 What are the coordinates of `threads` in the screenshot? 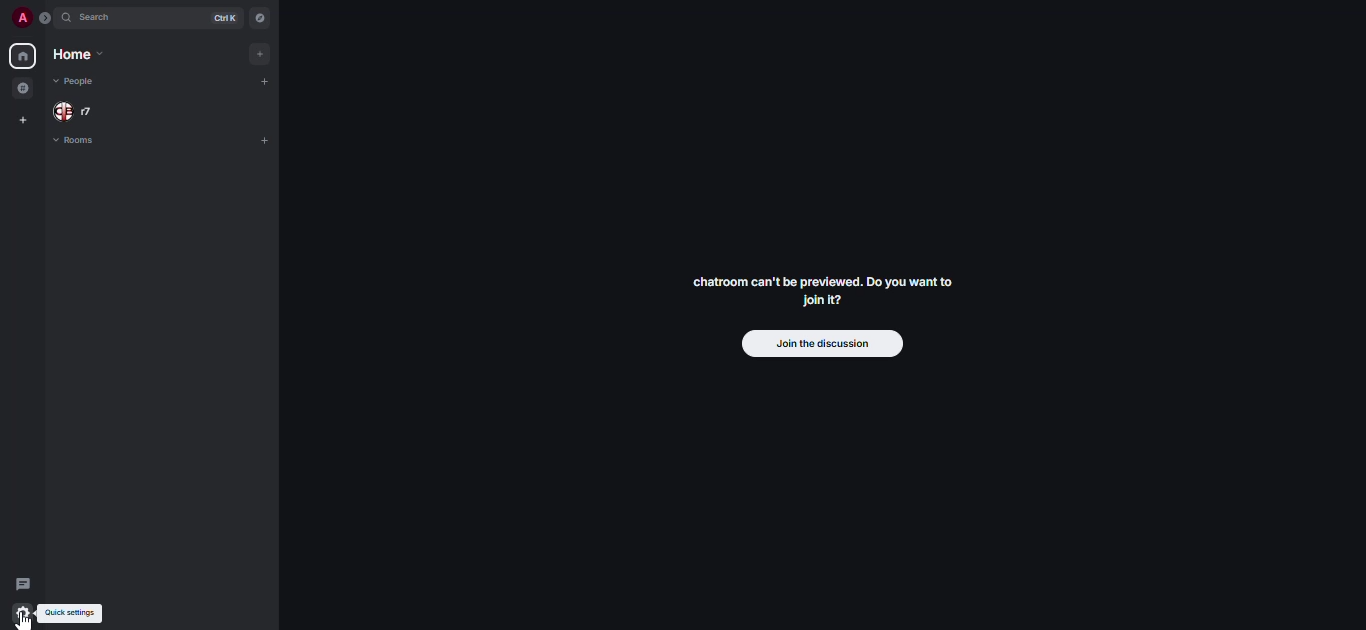 It's located at (23, 586).